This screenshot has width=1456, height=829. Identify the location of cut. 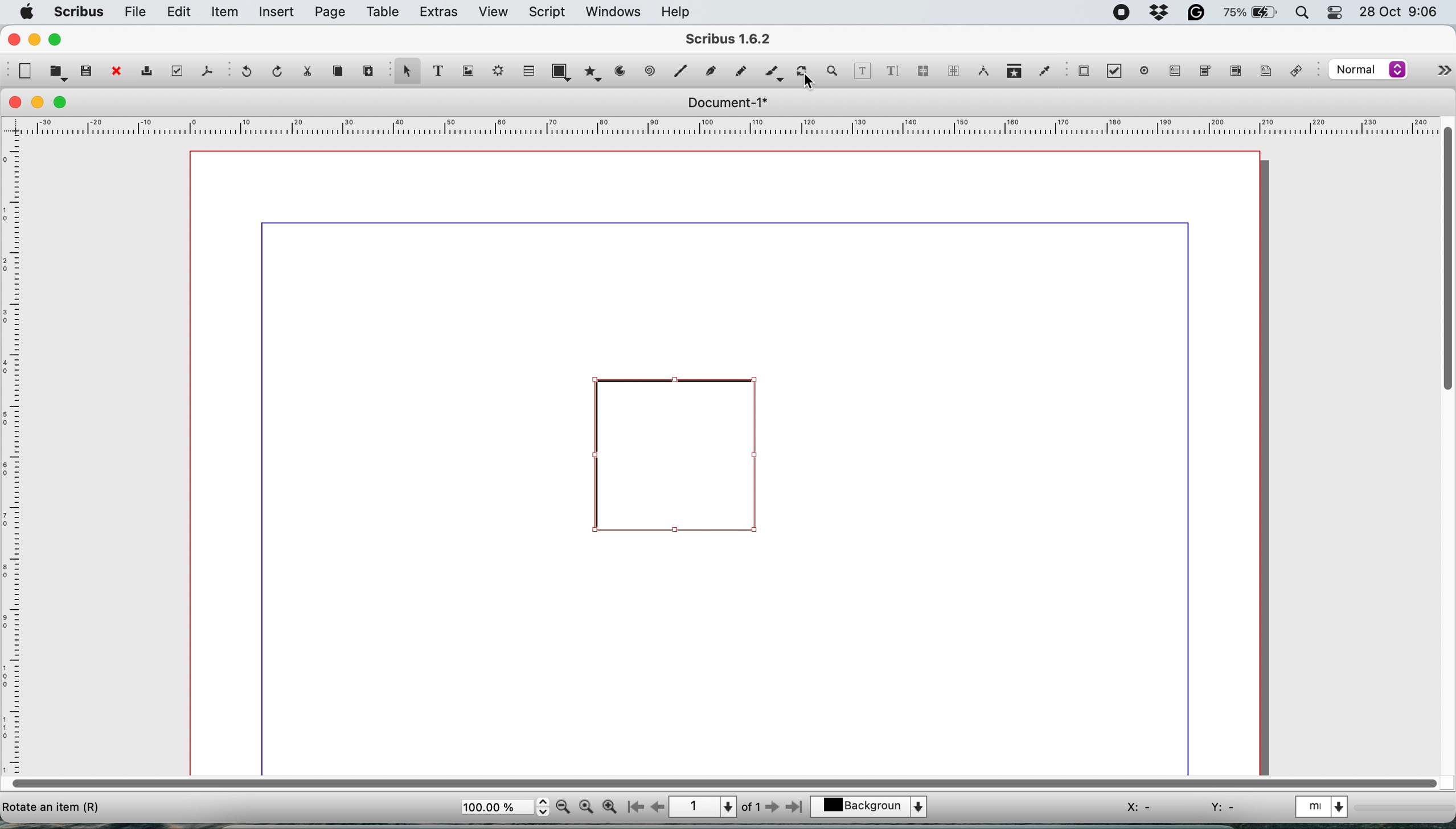
(313, 73).